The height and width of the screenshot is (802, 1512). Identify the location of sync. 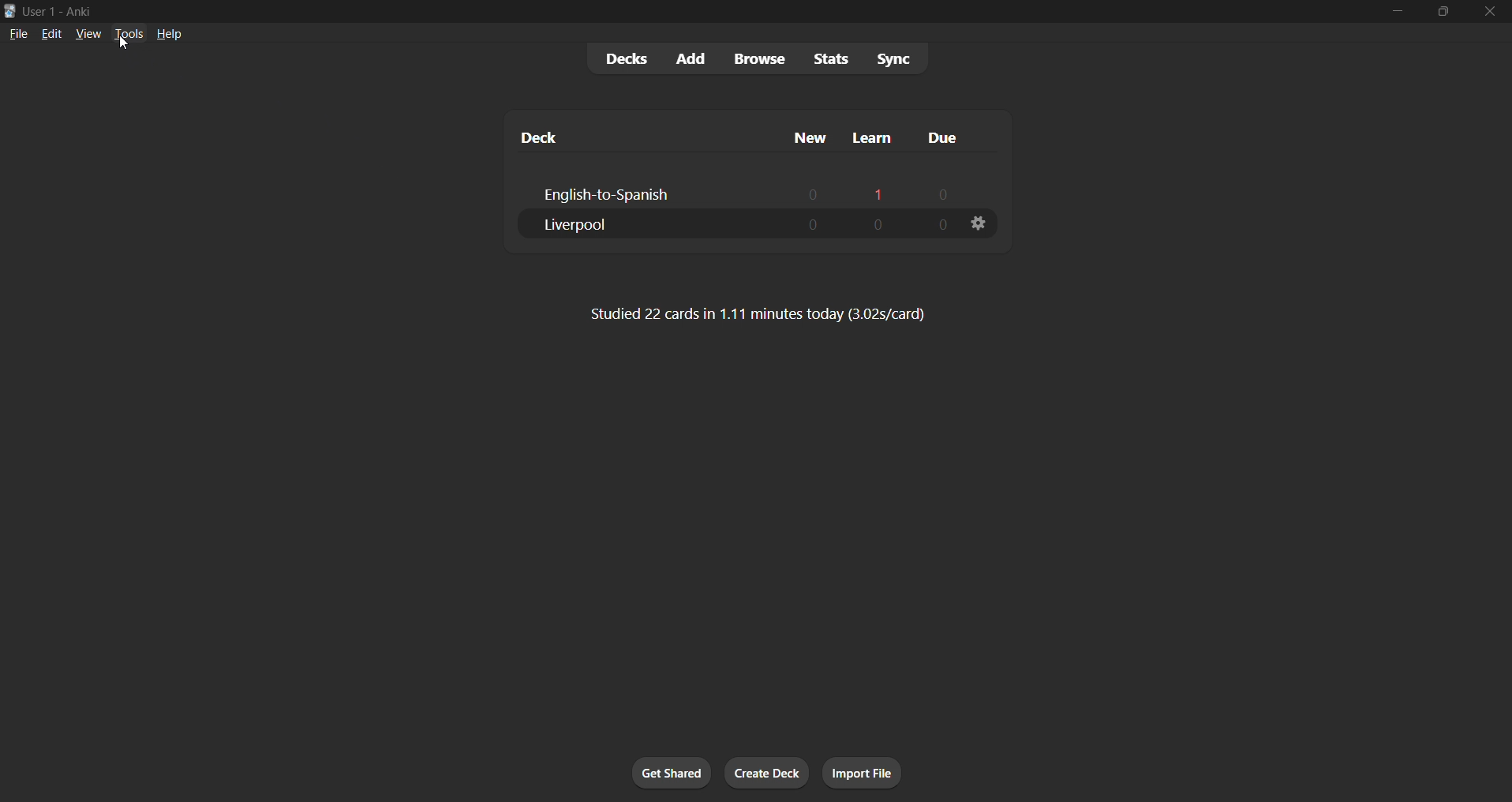
(896, 57).